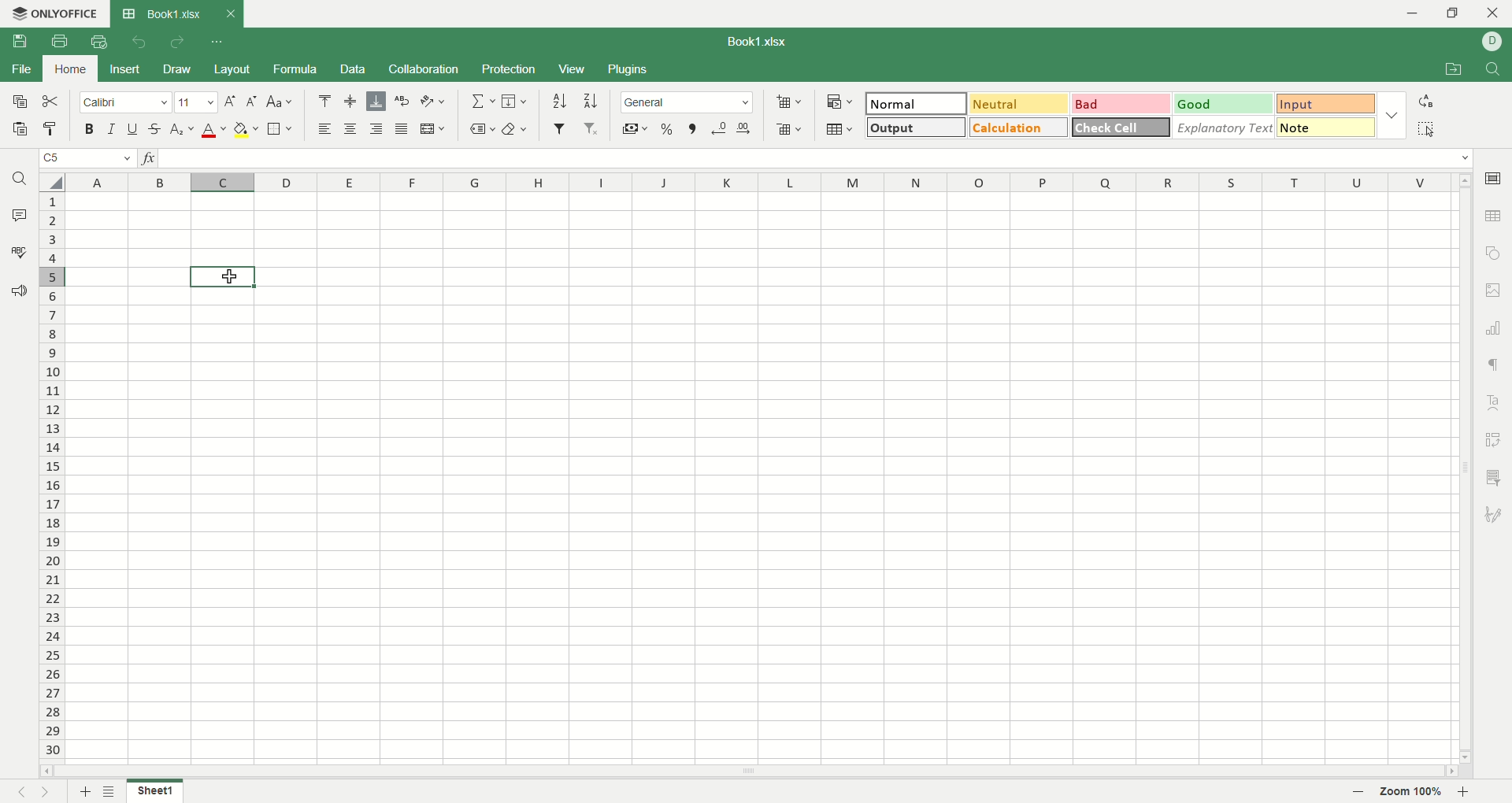 The image size is (1512, 803). I want to click on spell check, so click(17, 252).